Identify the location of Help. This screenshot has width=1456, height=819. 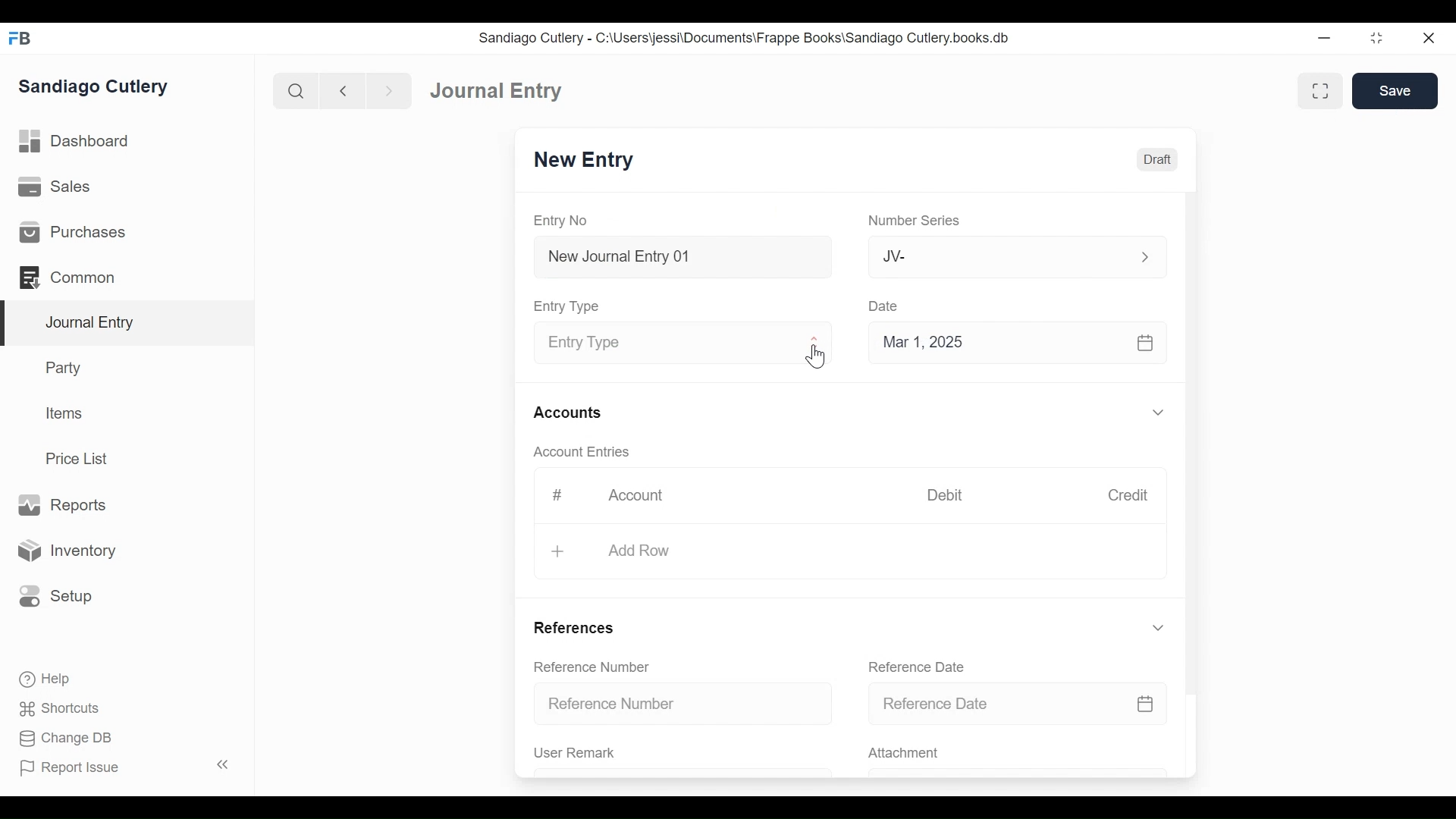
(38, 680).